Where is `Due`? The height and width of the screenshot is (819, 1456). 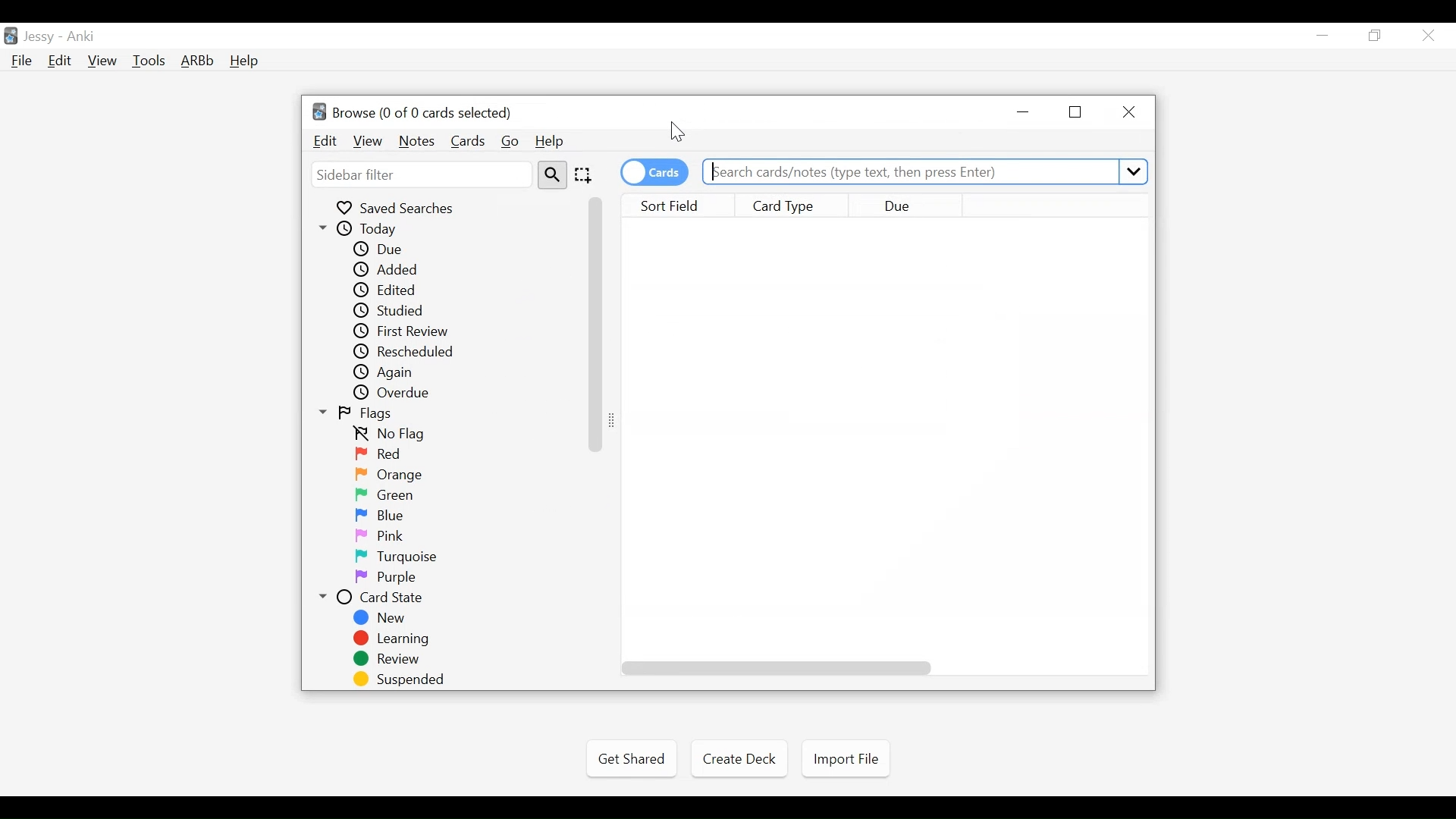
Due is located at coordinates (386, 248).